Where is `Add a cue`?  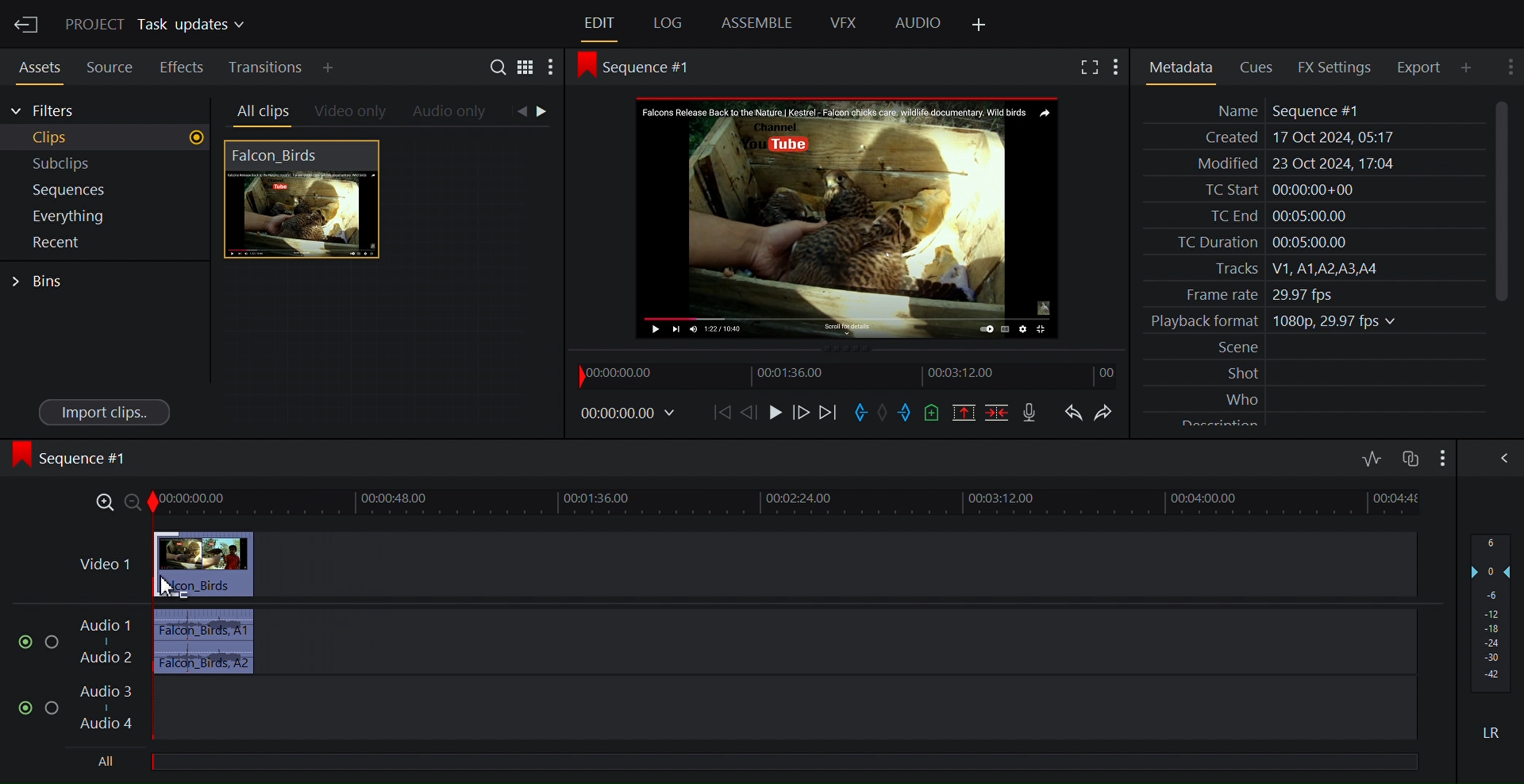
Add a cue is located at coordinates (935, 413).